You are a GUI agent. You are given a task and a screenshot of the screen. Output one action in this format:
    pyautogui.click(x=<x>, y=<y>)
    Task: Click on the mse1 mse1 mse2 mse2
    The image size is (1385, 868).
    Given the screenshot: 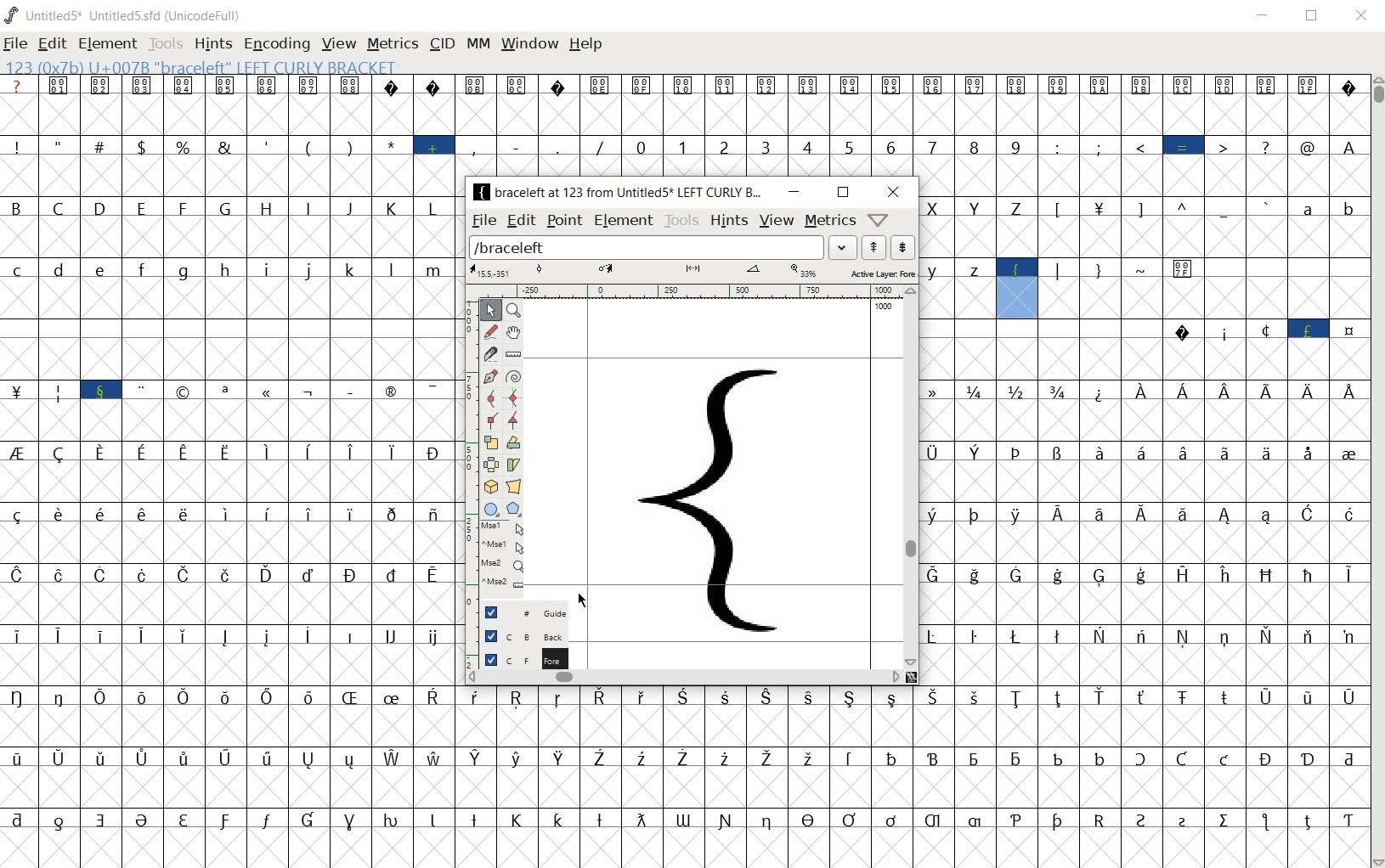 What is the action you would take?
    pyautogui.click(x=499, y=559)
    